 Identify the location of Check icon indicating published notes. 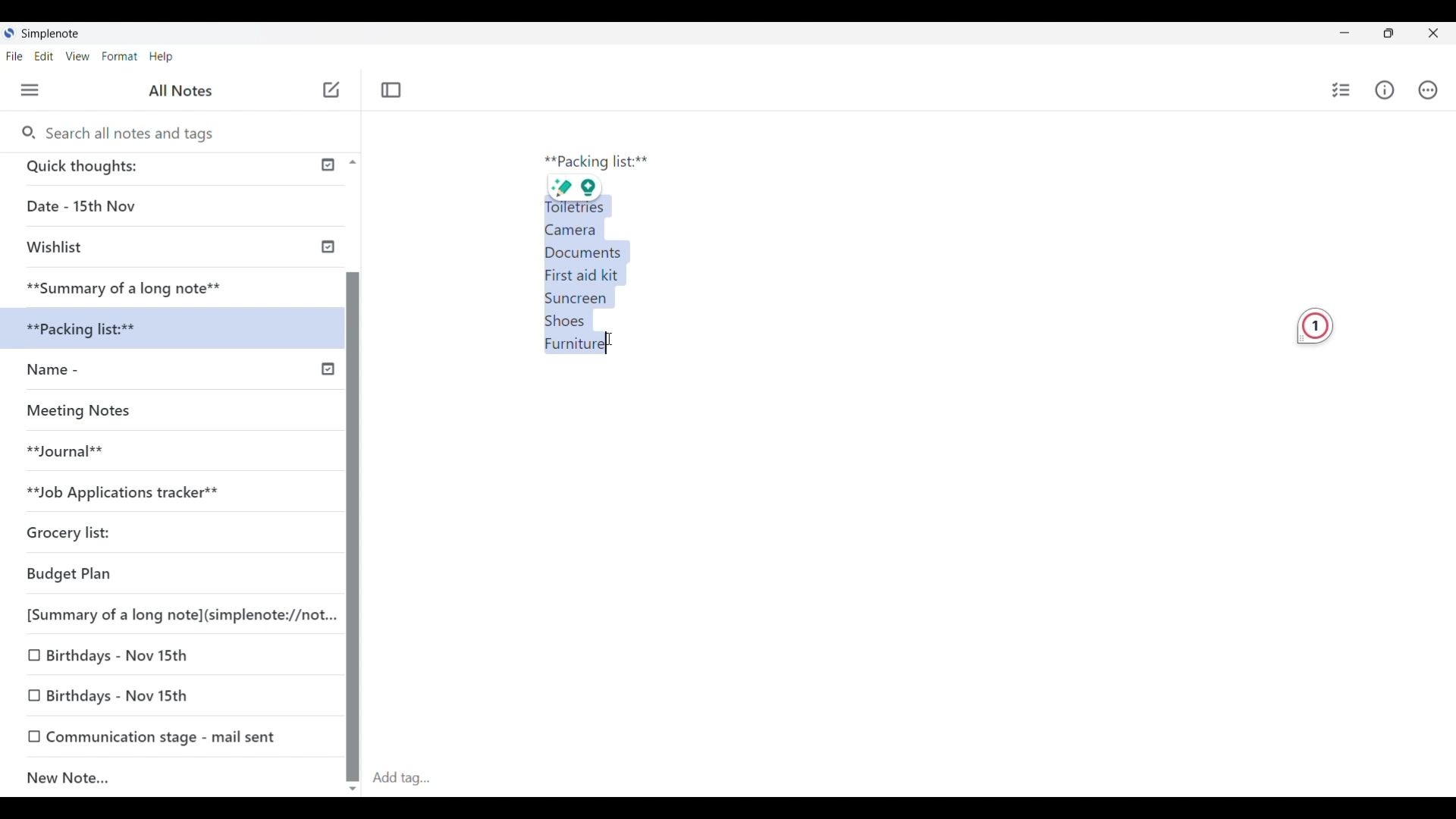
(328, 267).